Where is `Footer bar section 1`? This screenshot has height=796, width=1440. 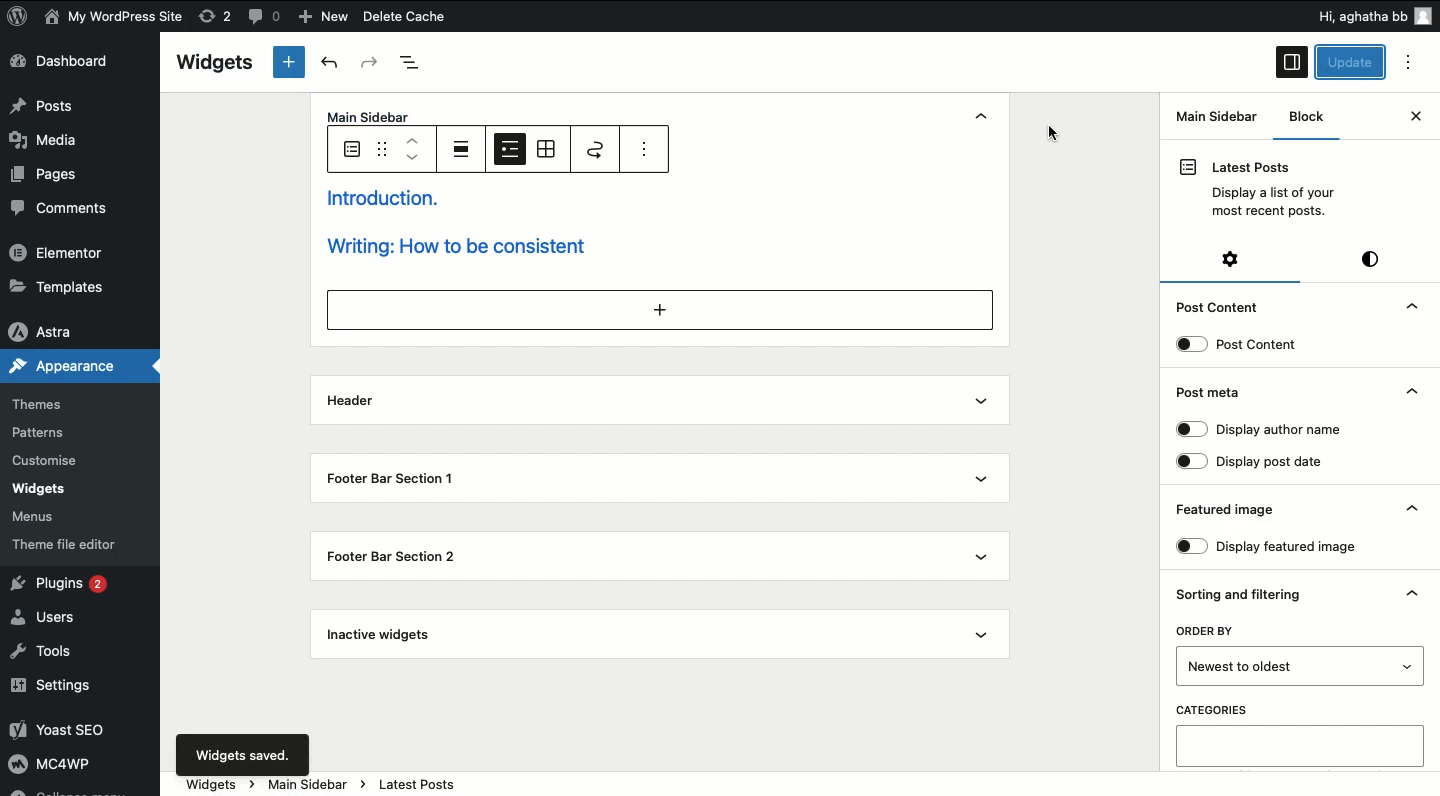 Footer bar section 1 is located at coordinates (389, 481).